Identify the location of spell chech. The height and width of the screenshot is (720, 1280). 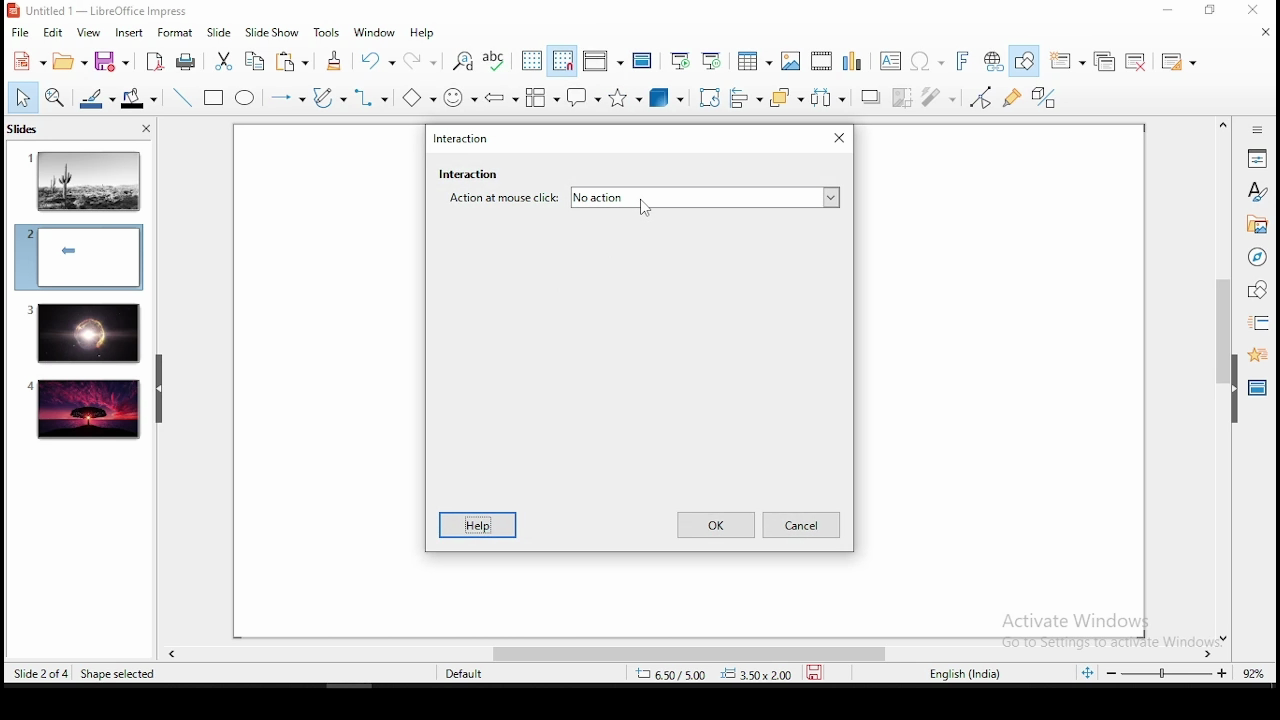
(495, 59).